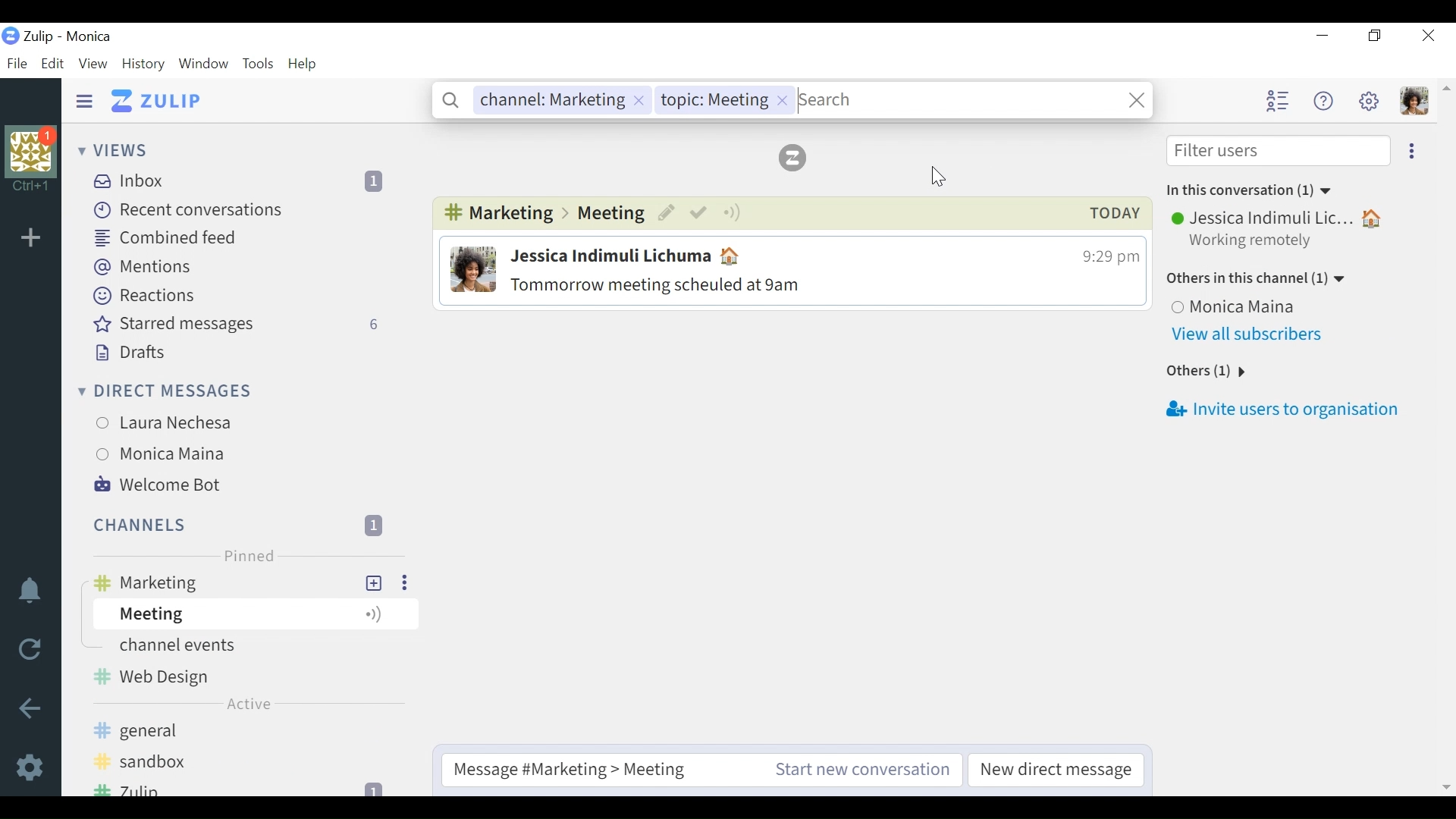 The height and width of the screenshot is (819, 1456). Describe the element at coordinates (1241, 309) in the screenshot. I see `Monica Maina` at that location.